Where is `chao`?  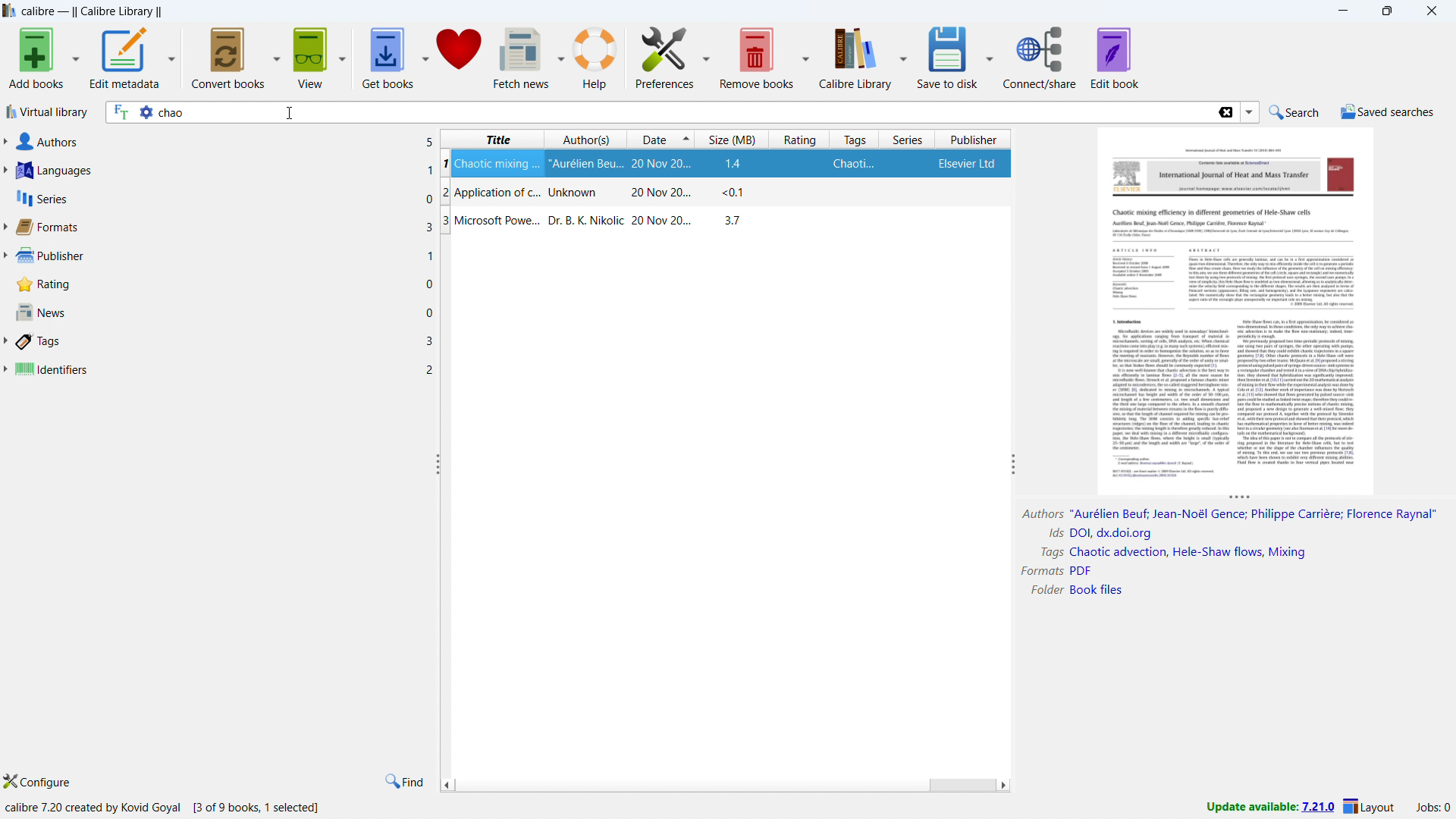
chao is located at coordinates (186, 112).